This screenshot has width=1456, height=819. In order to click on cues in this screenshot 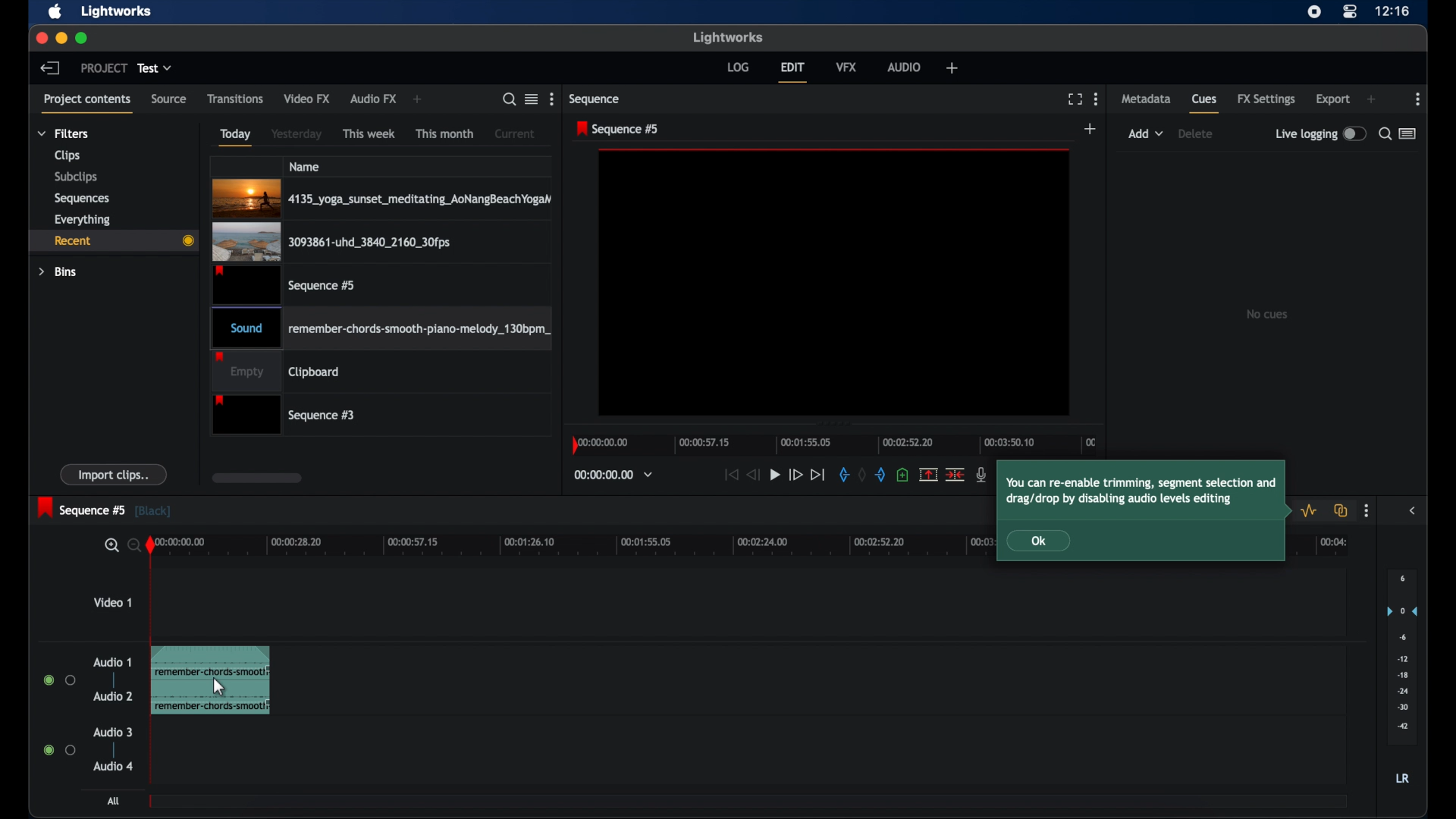, I will do `click(1206, 105)`.